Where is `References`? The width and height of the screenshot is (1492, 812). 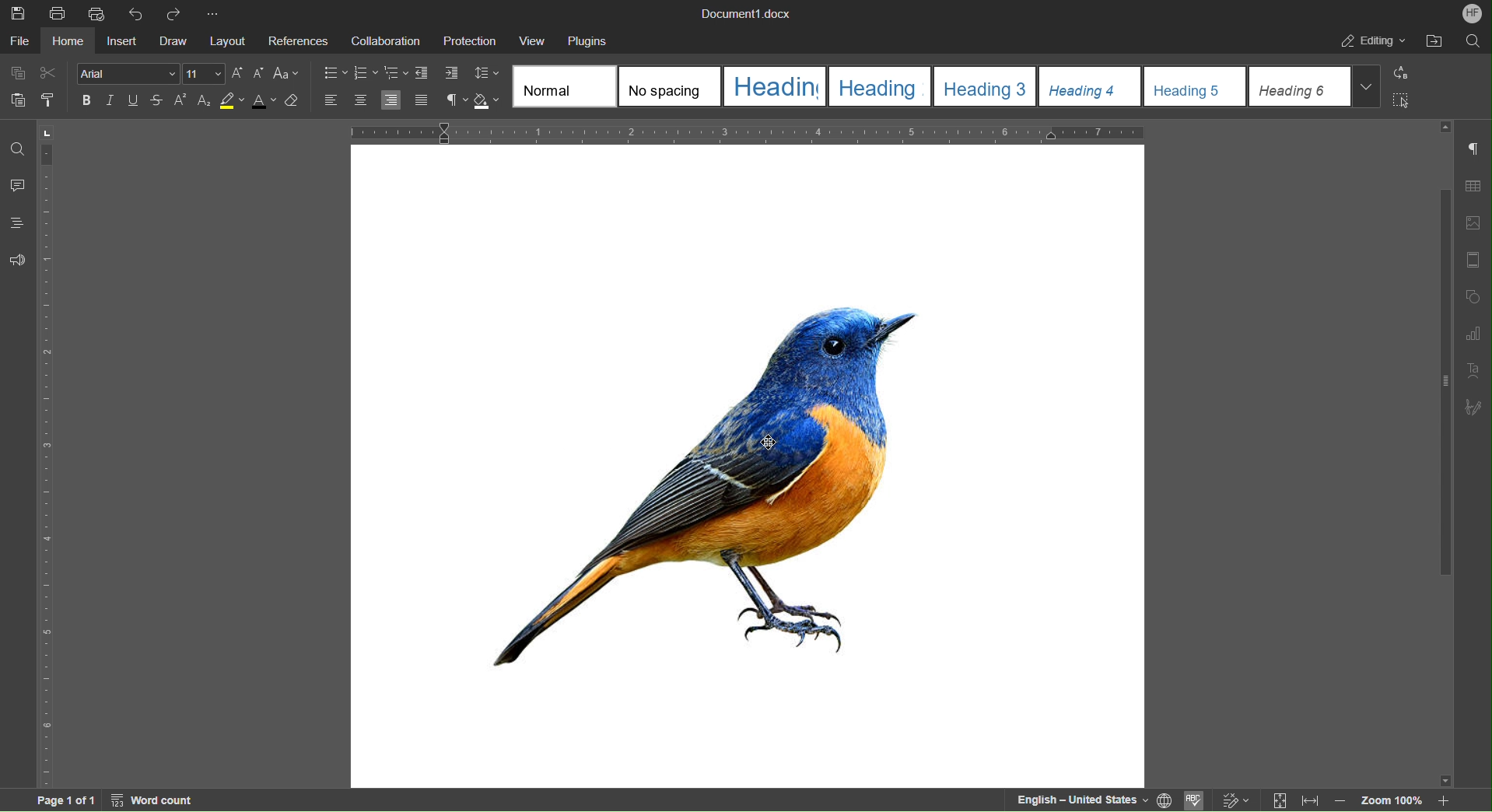
References is located at coordinates (296, 43).